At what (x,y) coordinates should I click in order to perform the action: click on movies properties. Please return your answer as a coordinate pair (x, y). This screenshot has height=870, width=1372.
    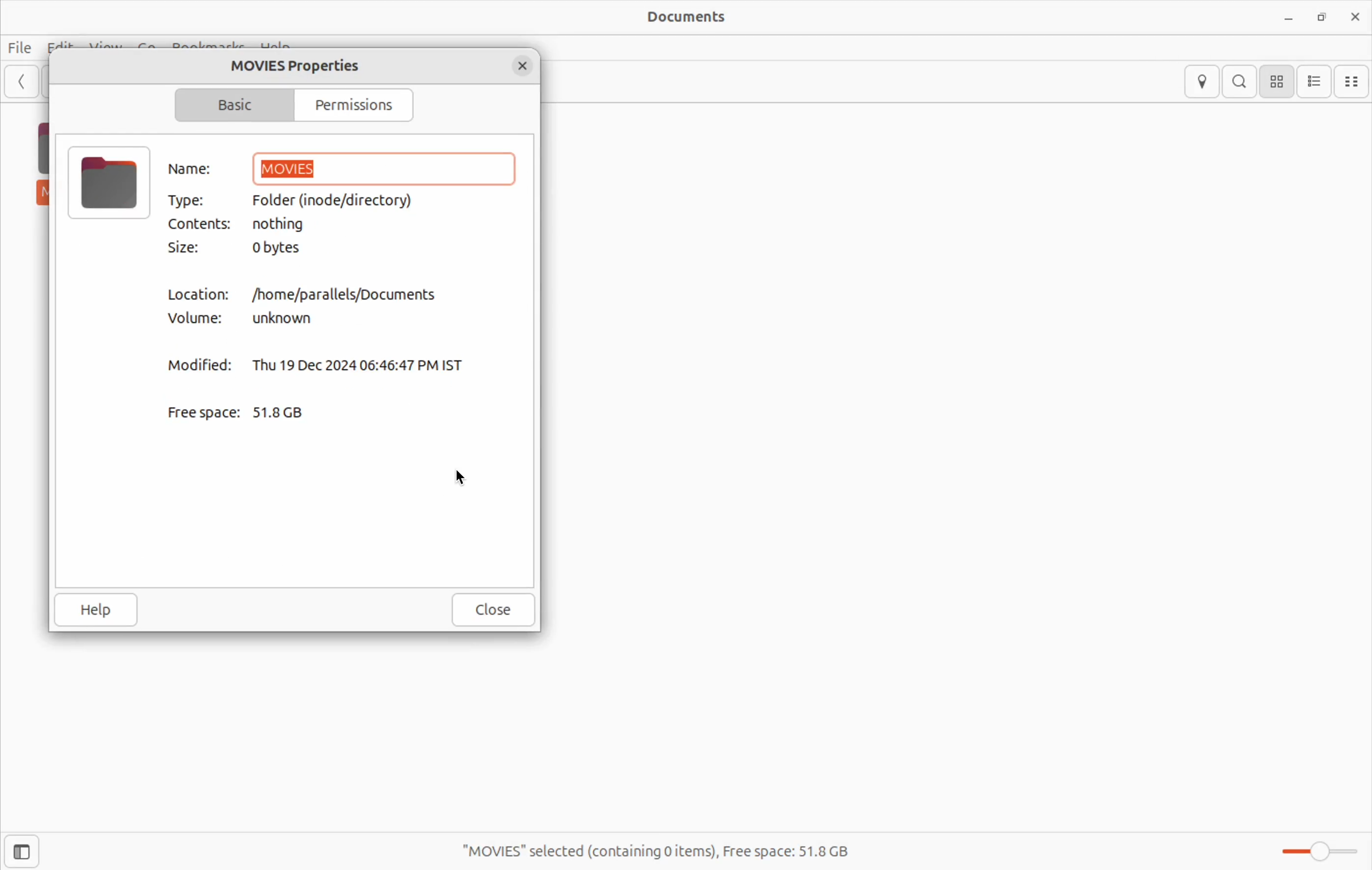
    Looking at the image, I should click on (298, 64).